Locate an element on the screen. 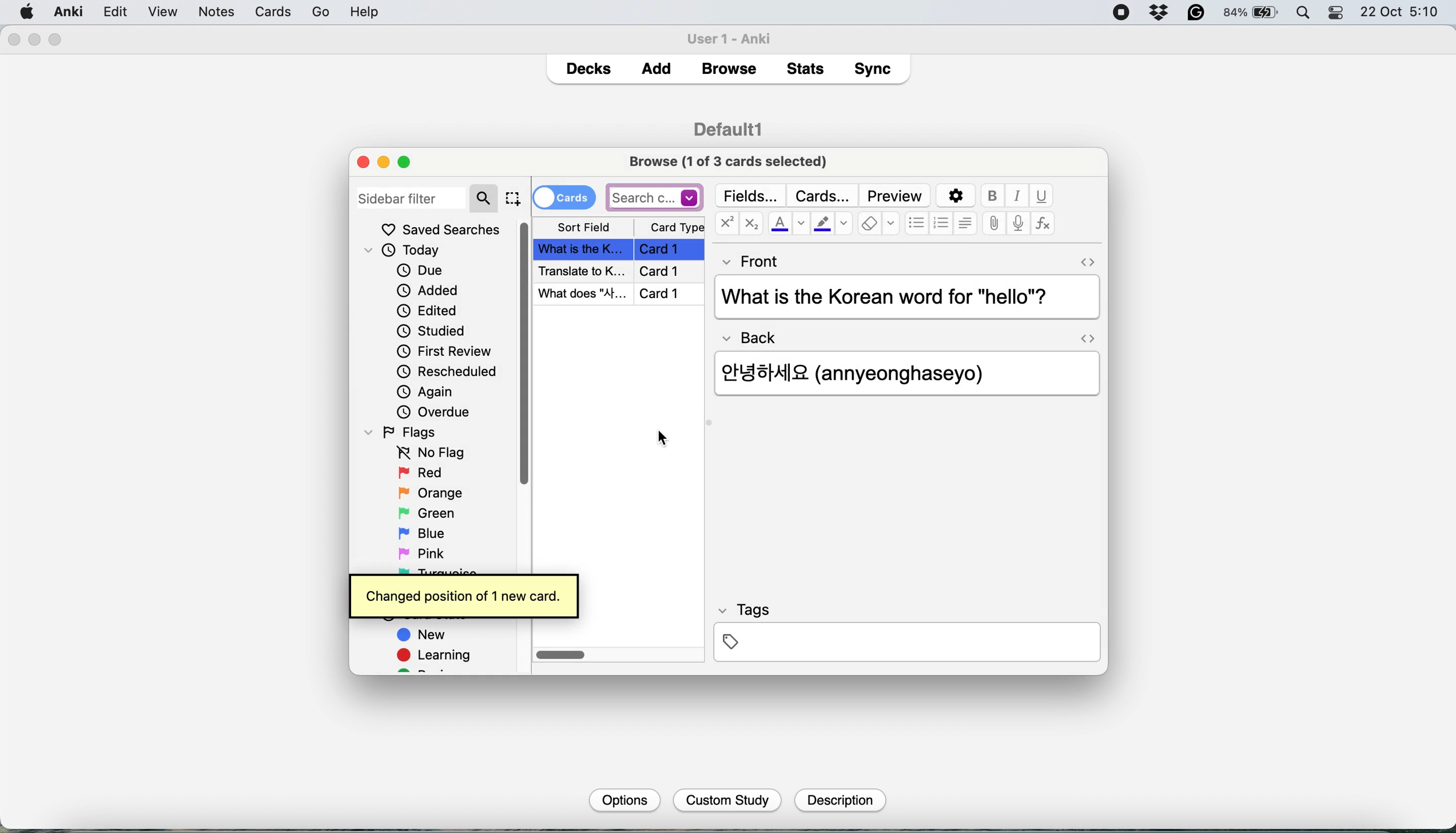  screen recorder is located at coordinates (1121, 14).